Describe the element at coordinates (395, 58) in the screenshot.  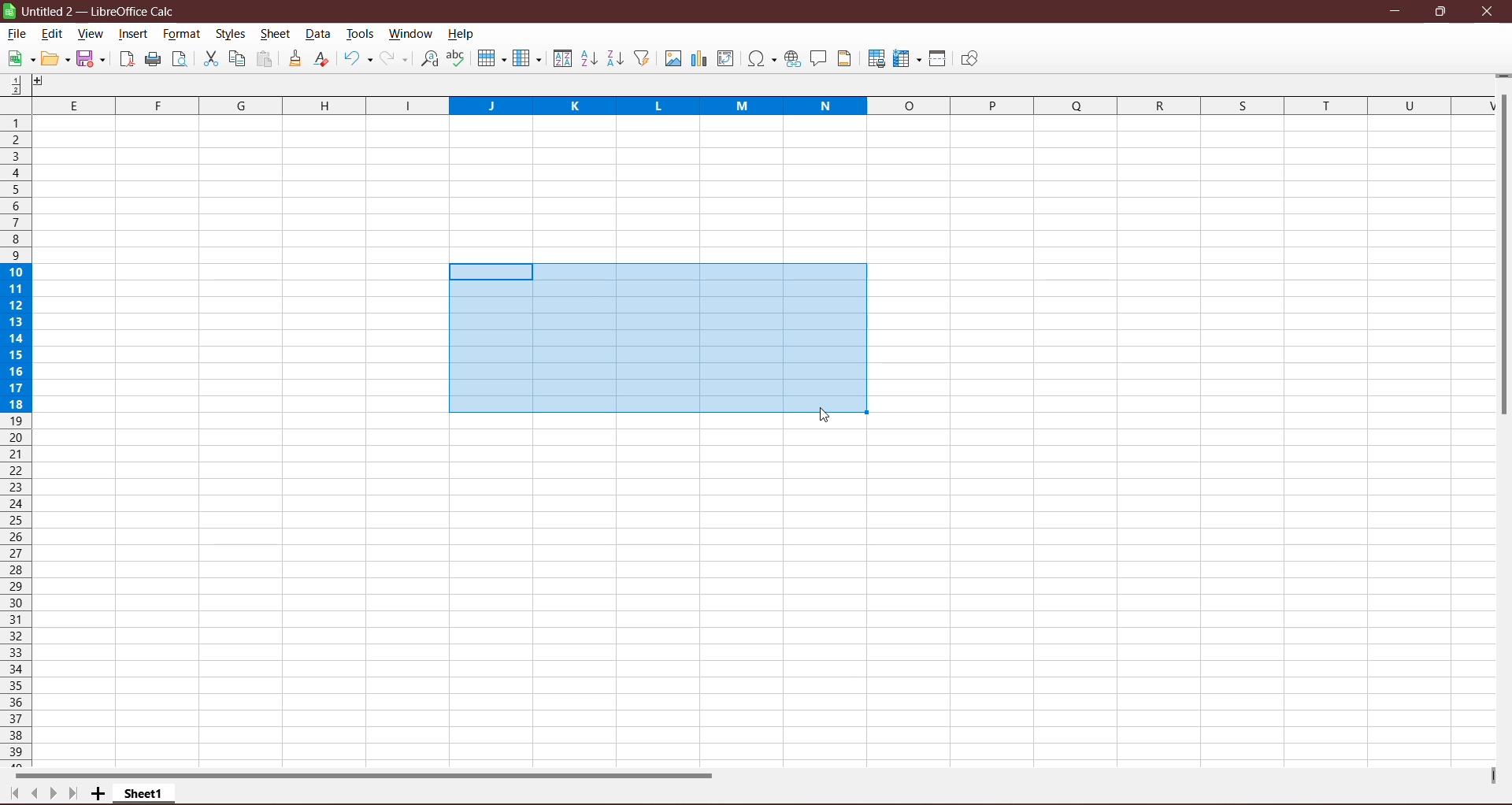
I see `Redo` at that location.